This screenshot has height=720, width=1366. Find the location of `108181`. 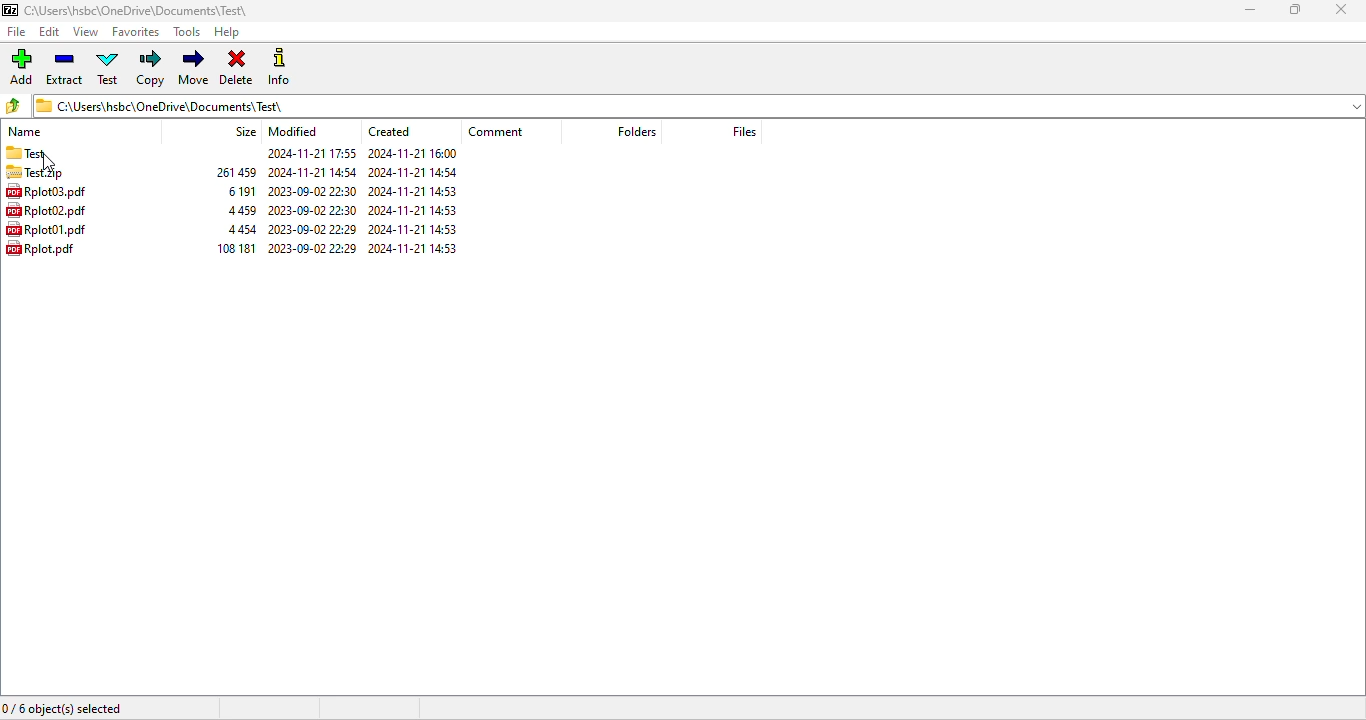

108181 is located at coordinates (240, 248).